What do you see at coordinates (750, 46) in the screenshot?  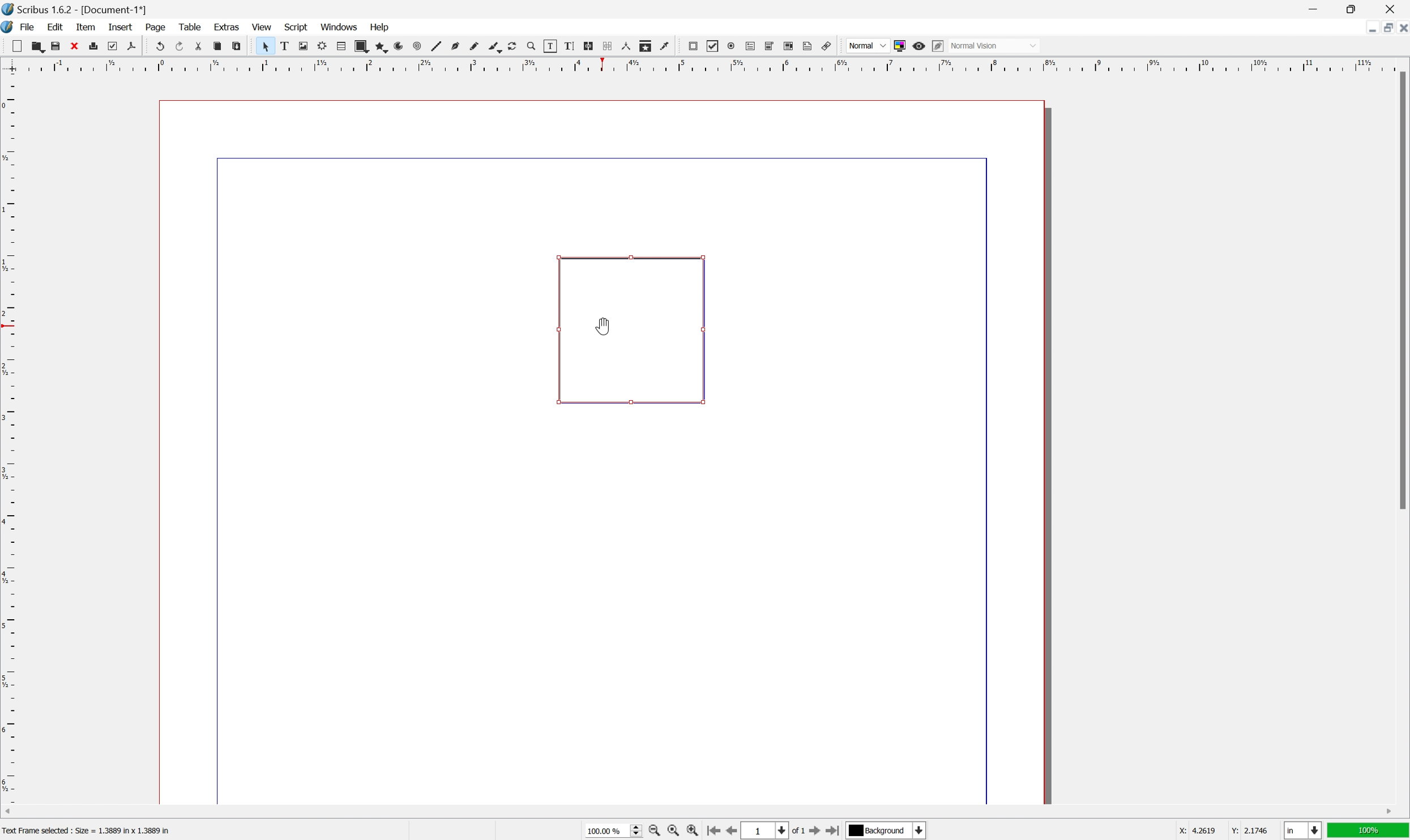 I see `pdf text field` at bounding box center [750, 46].